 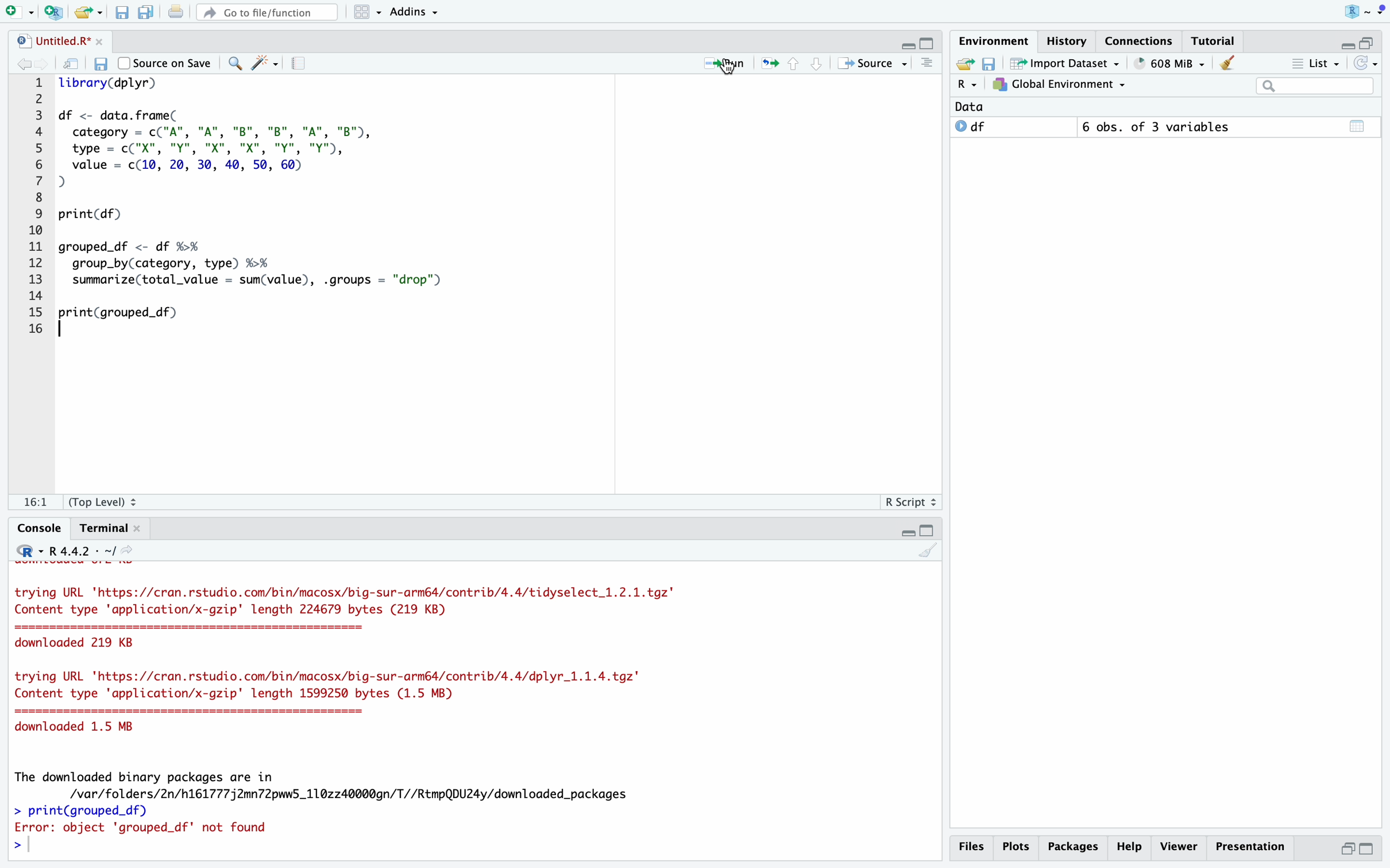 I want to click on Half Height, so click(x=1345, y=848).